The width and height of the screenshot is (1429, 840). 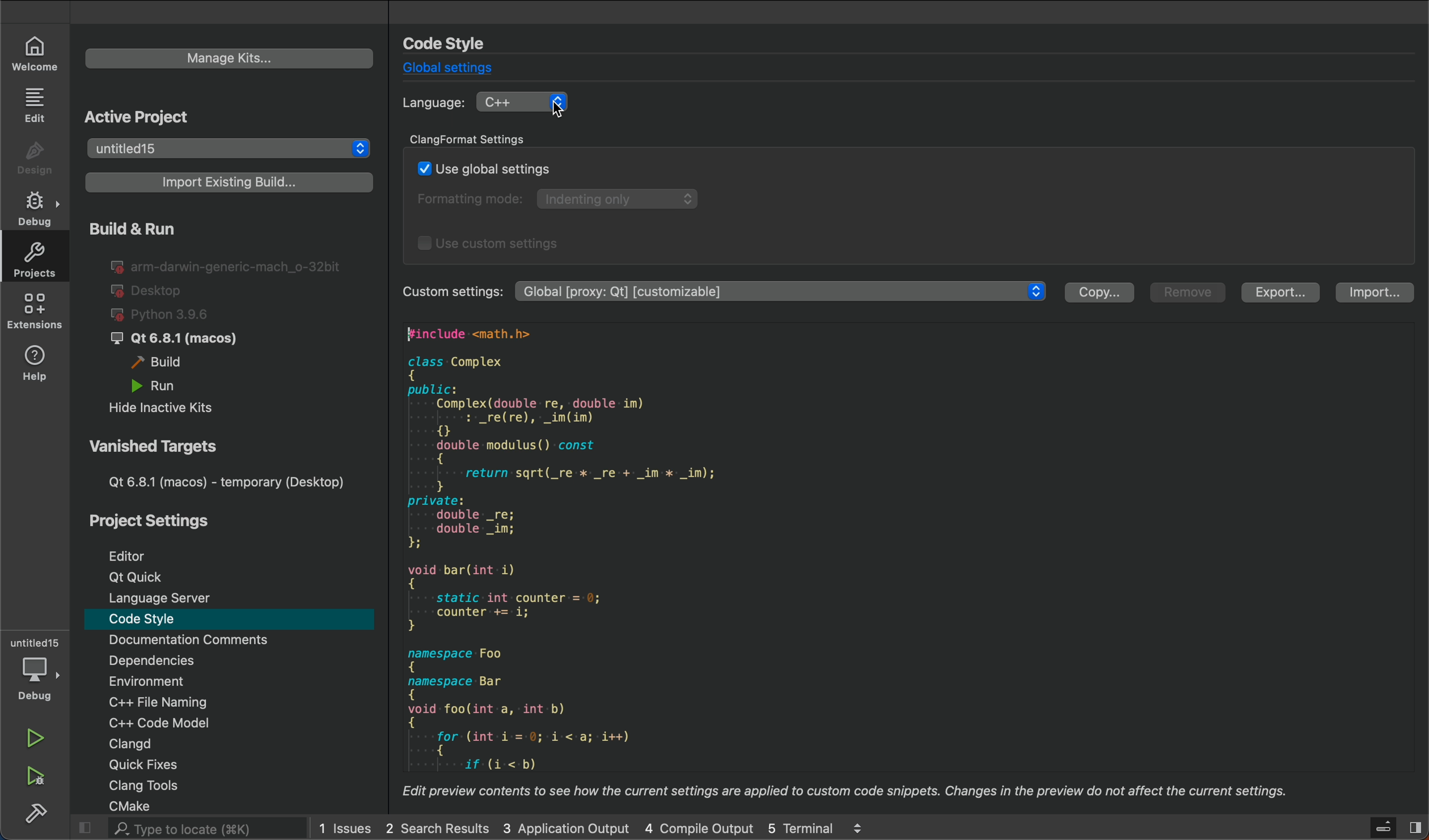 I want to click on project setting, so click(x=156, y=522).